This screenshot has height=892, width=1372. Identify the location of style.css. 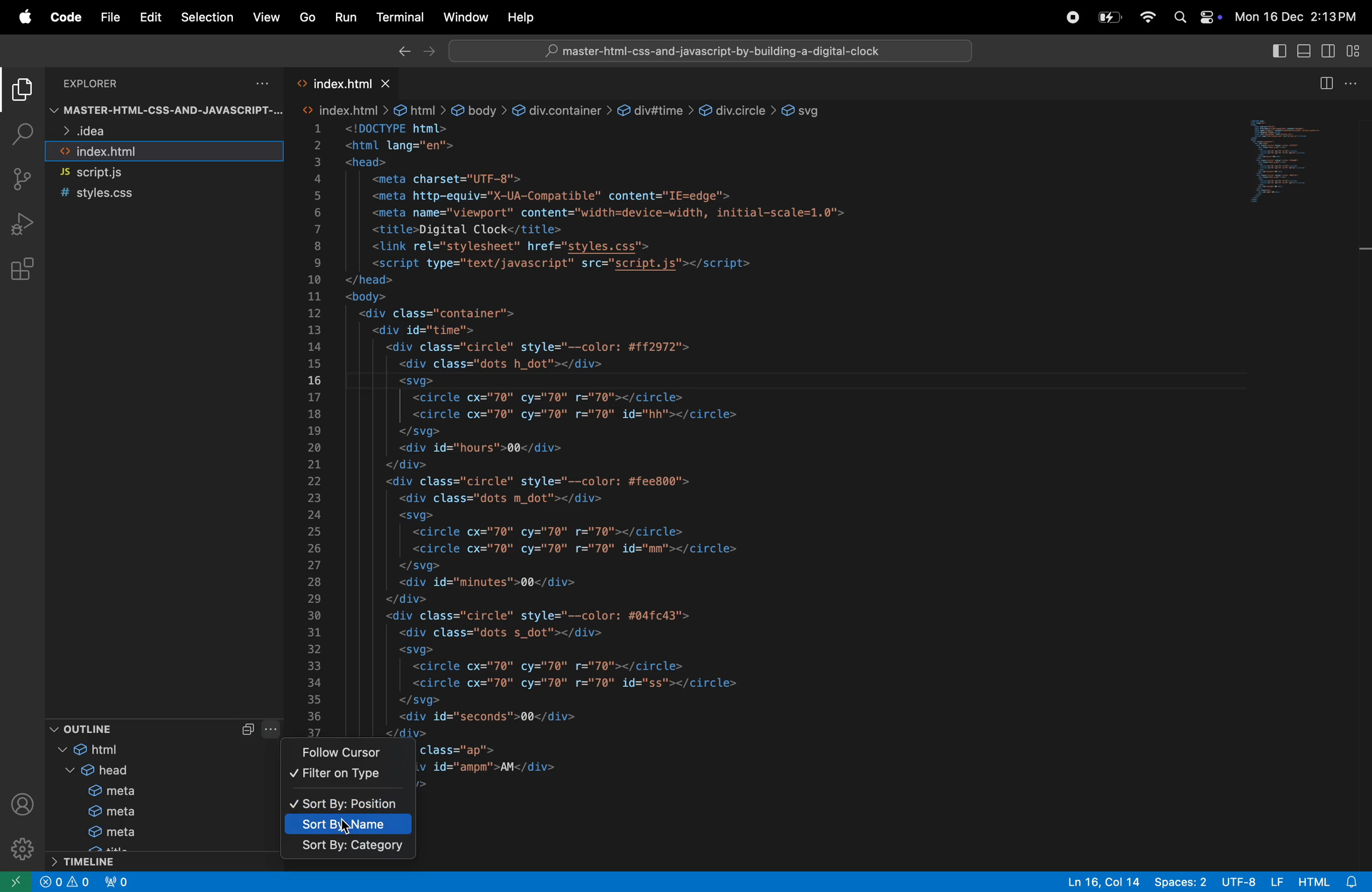
(153, 194).